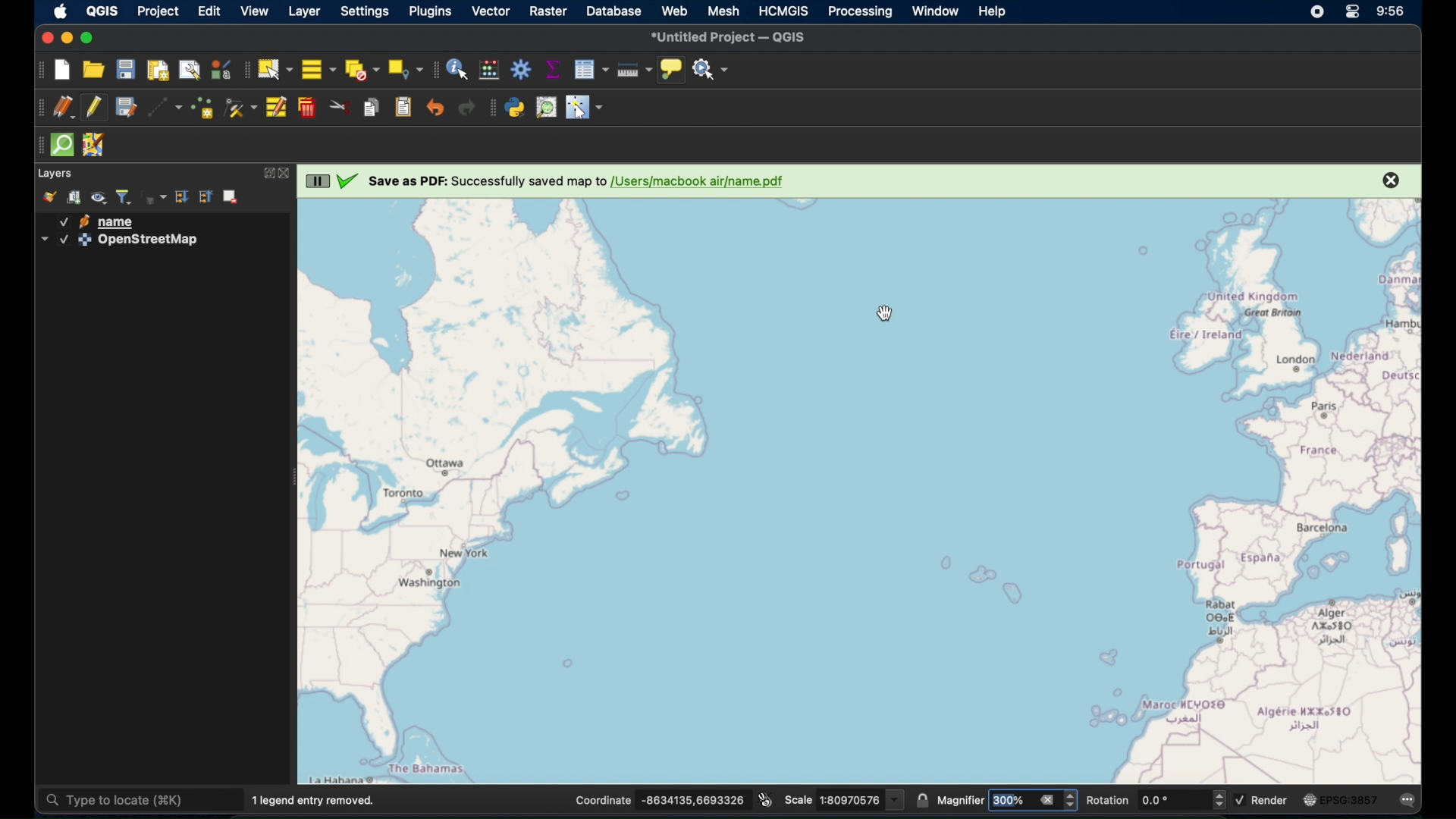 The height and width of the screenshot is (819, 1456). I want to click on filter layer by expression, so click(156, 196).